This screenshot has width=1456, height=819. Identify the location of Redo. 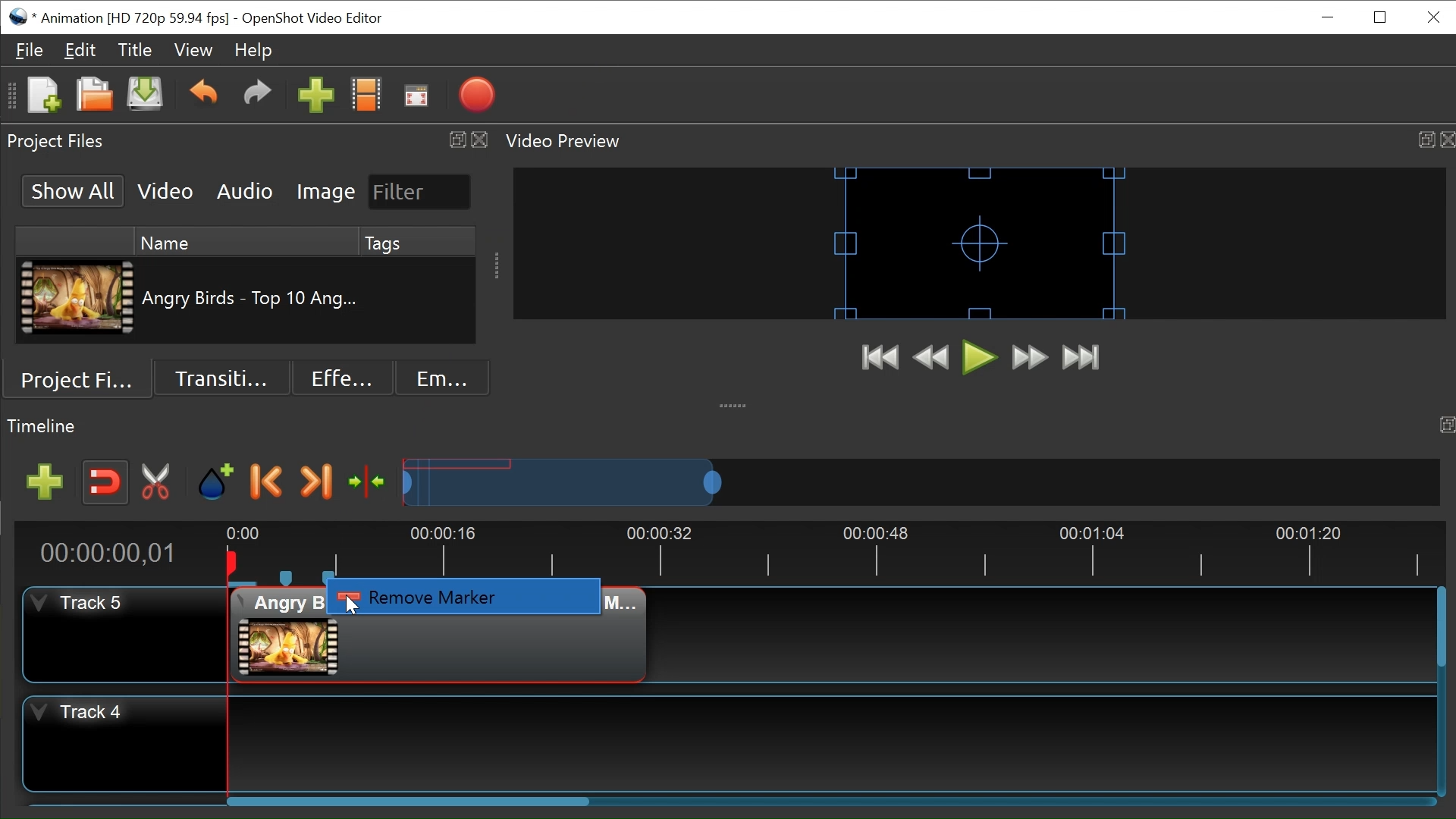
(257, 99).